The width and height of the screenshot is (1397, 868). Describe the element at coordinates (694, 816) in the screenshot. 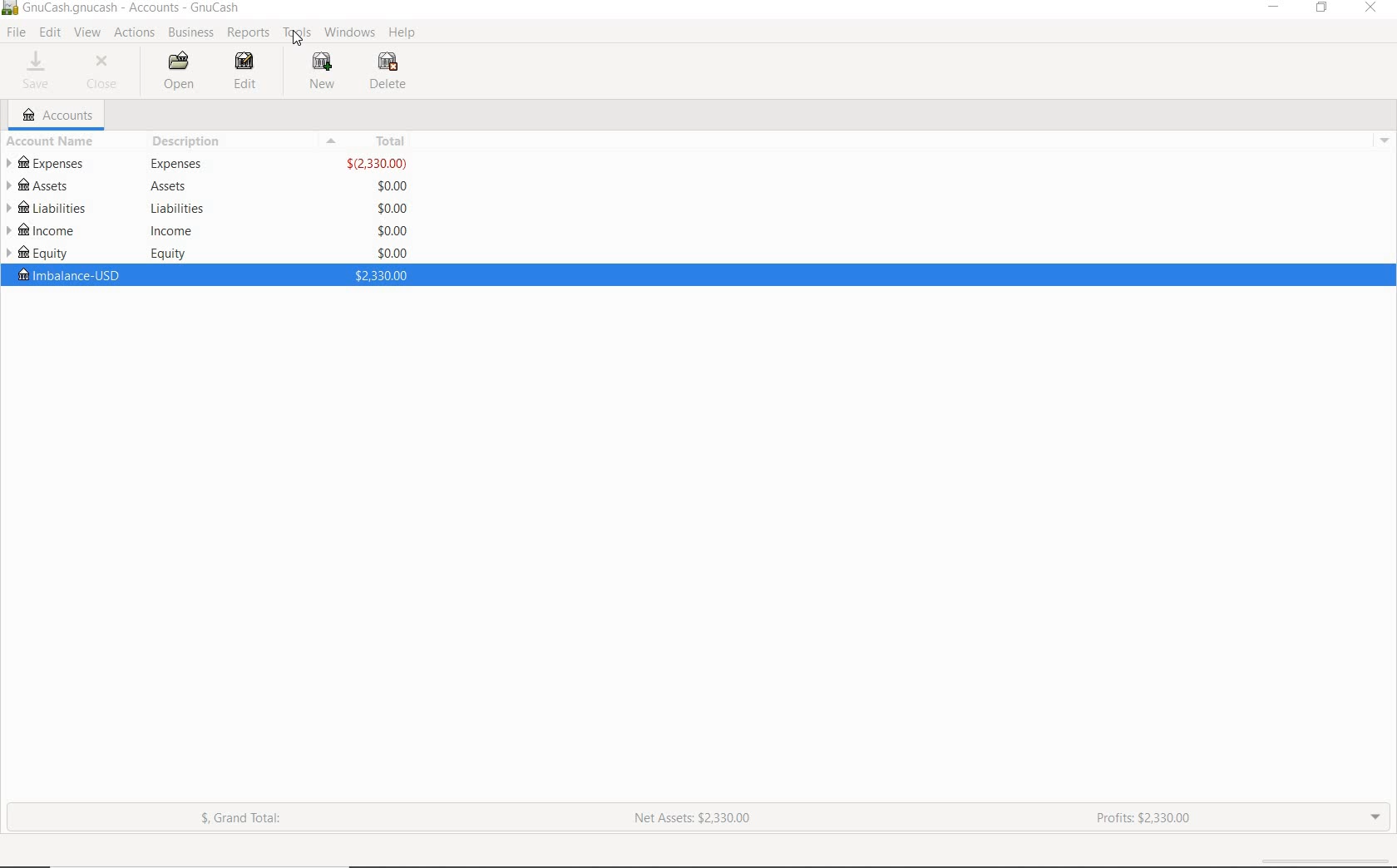

I see `NET ASSETS` at that location.